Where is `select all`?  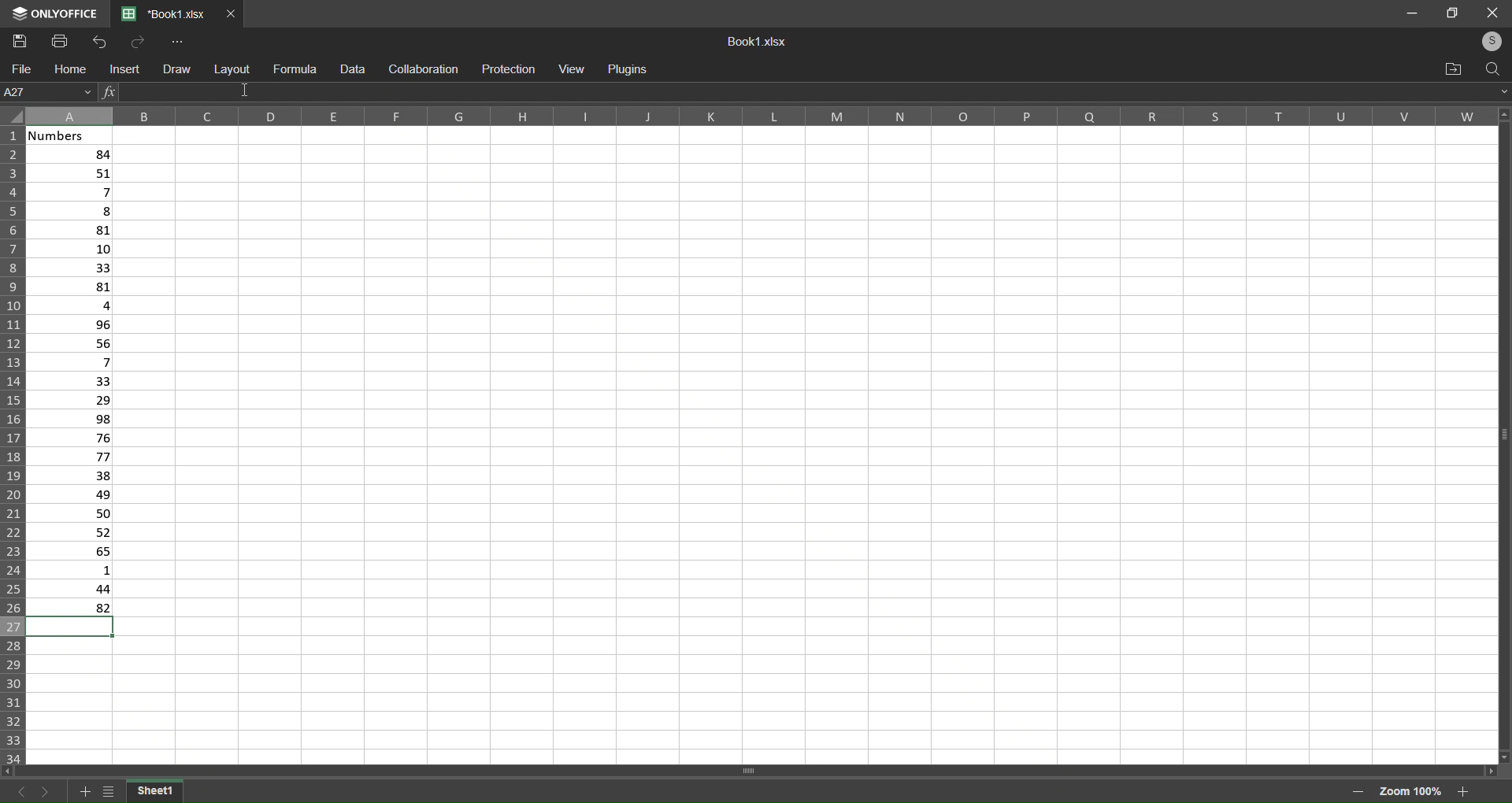 select all is located at coordinates (17, 117).